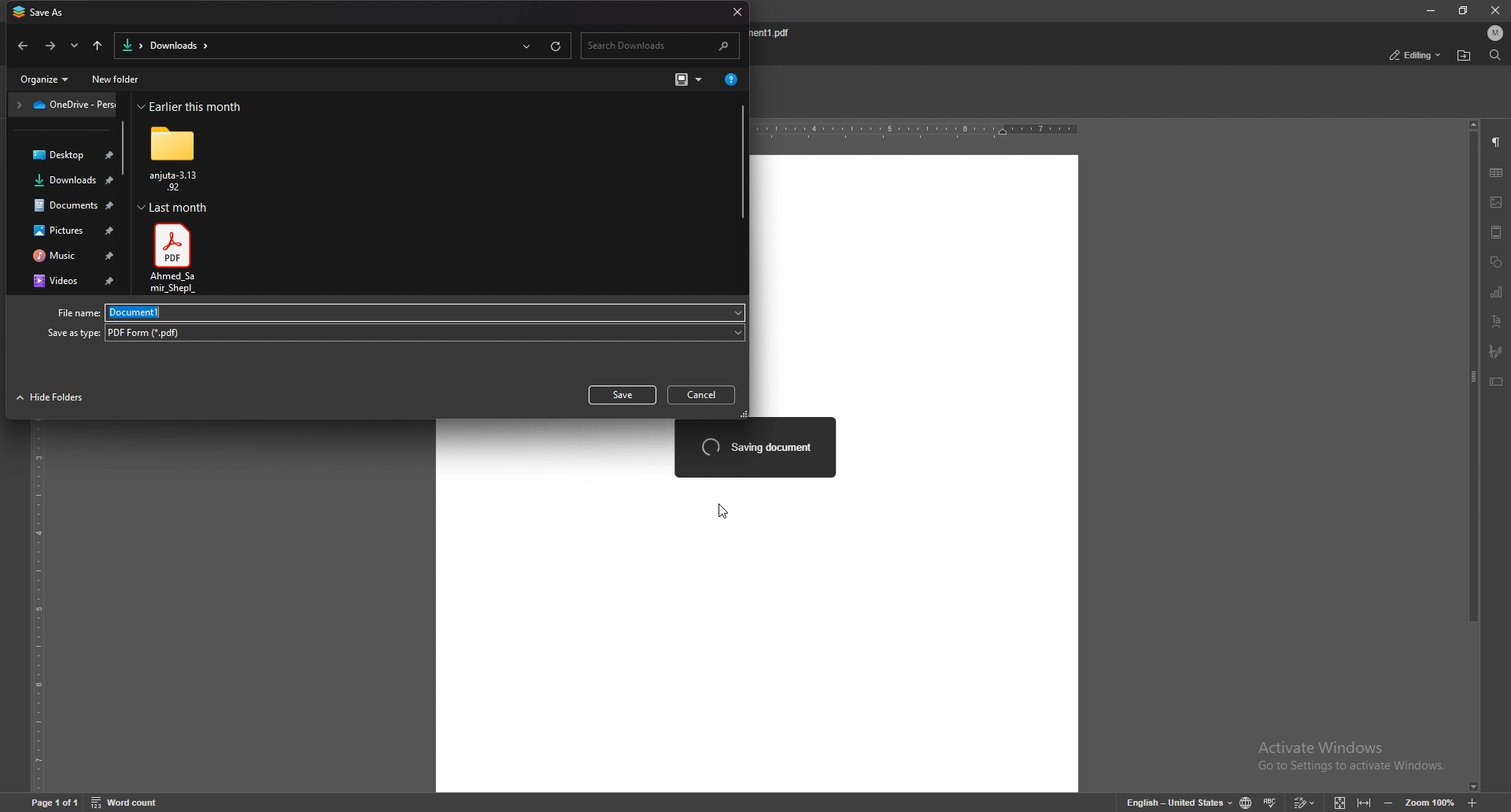 The height and width of the screenshot is (812, 1511). What do you see at coordinates (165, 46) in the screenshot?
I see `file path` at bounding box center [165, 46].